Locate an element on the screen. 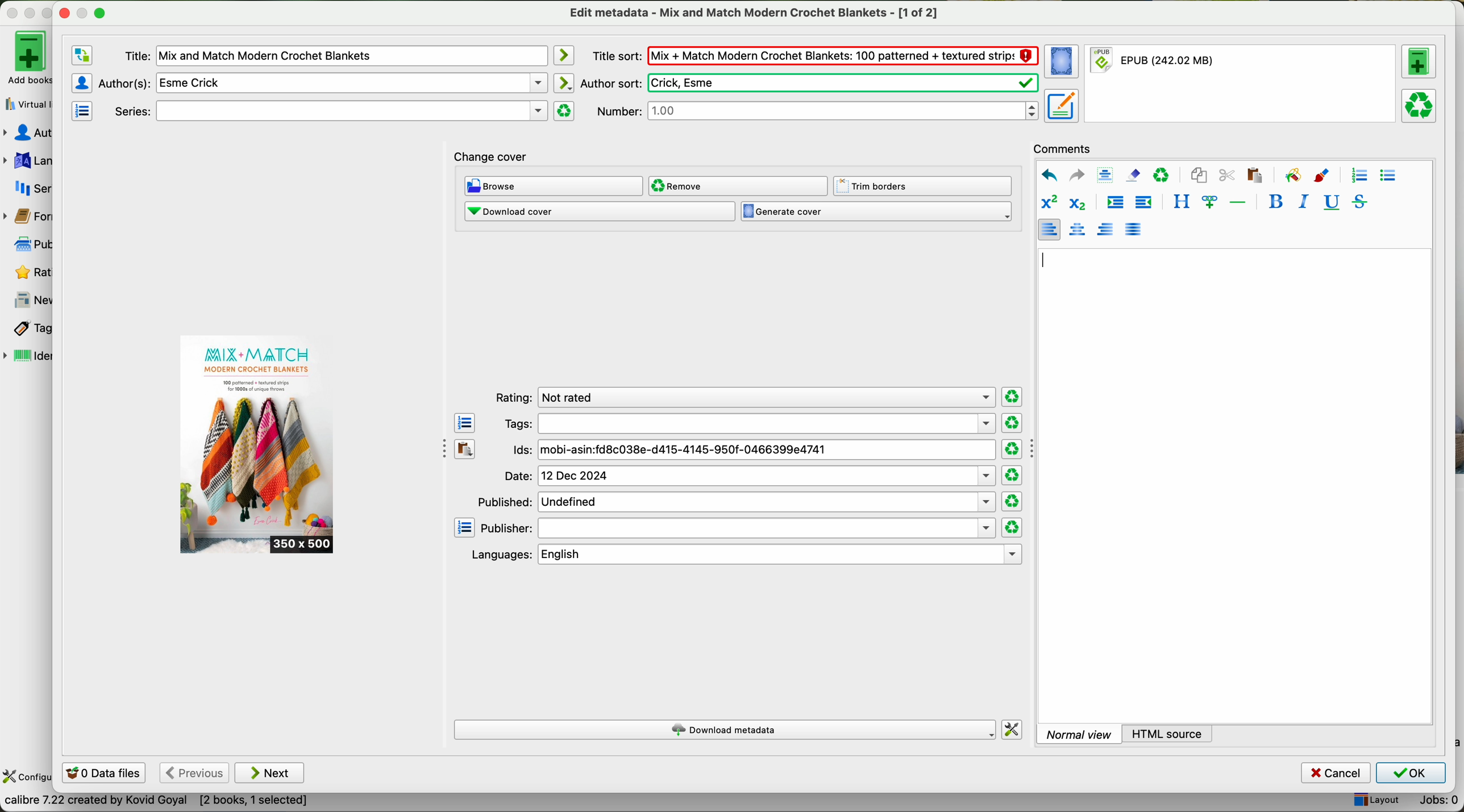 Image resolution: width=1464 pixels, height=812 pixels. news is located at coordinates (28, 301).